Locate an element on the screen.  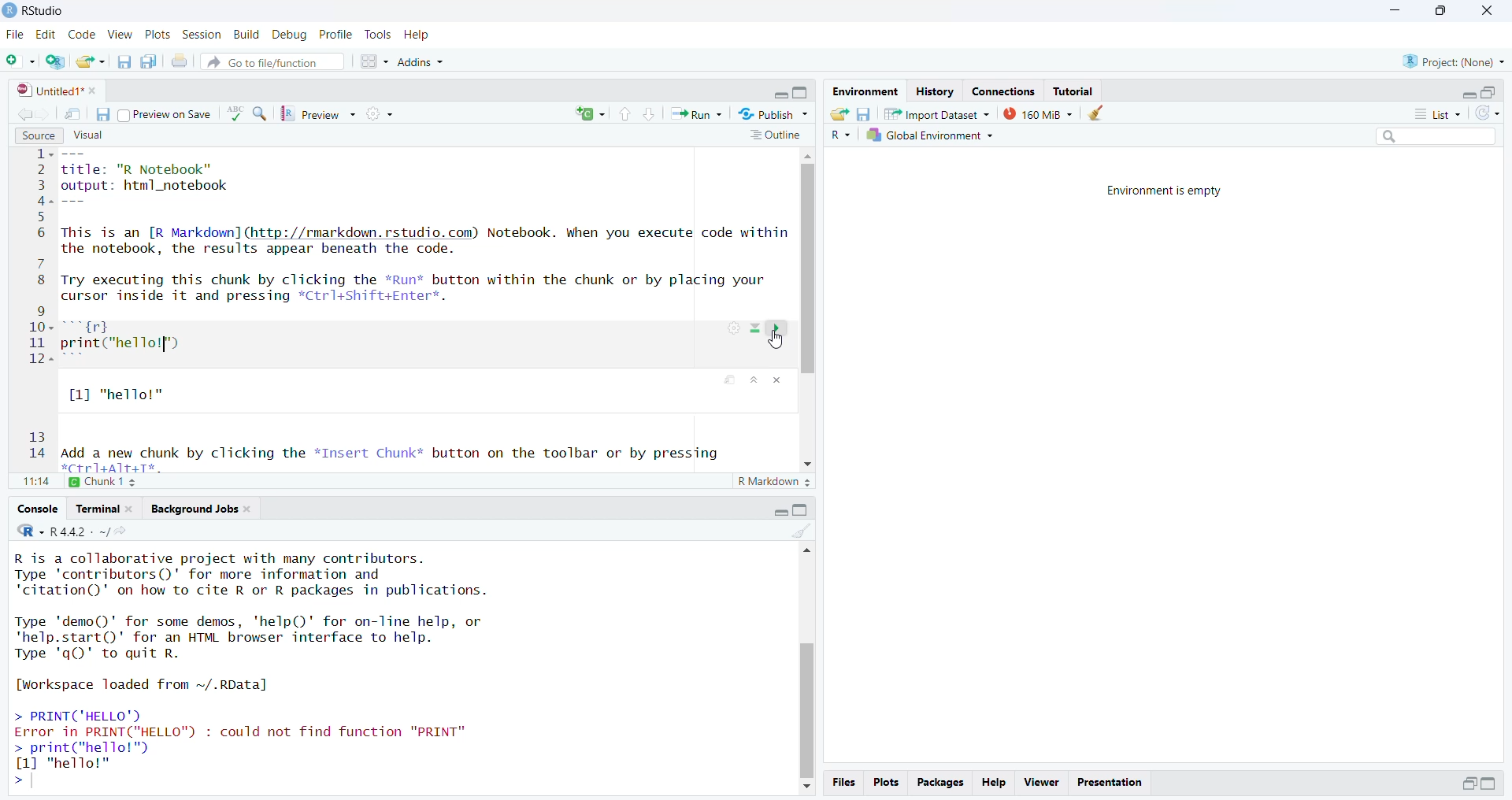
find/replace is located at coordinates (261, 116).